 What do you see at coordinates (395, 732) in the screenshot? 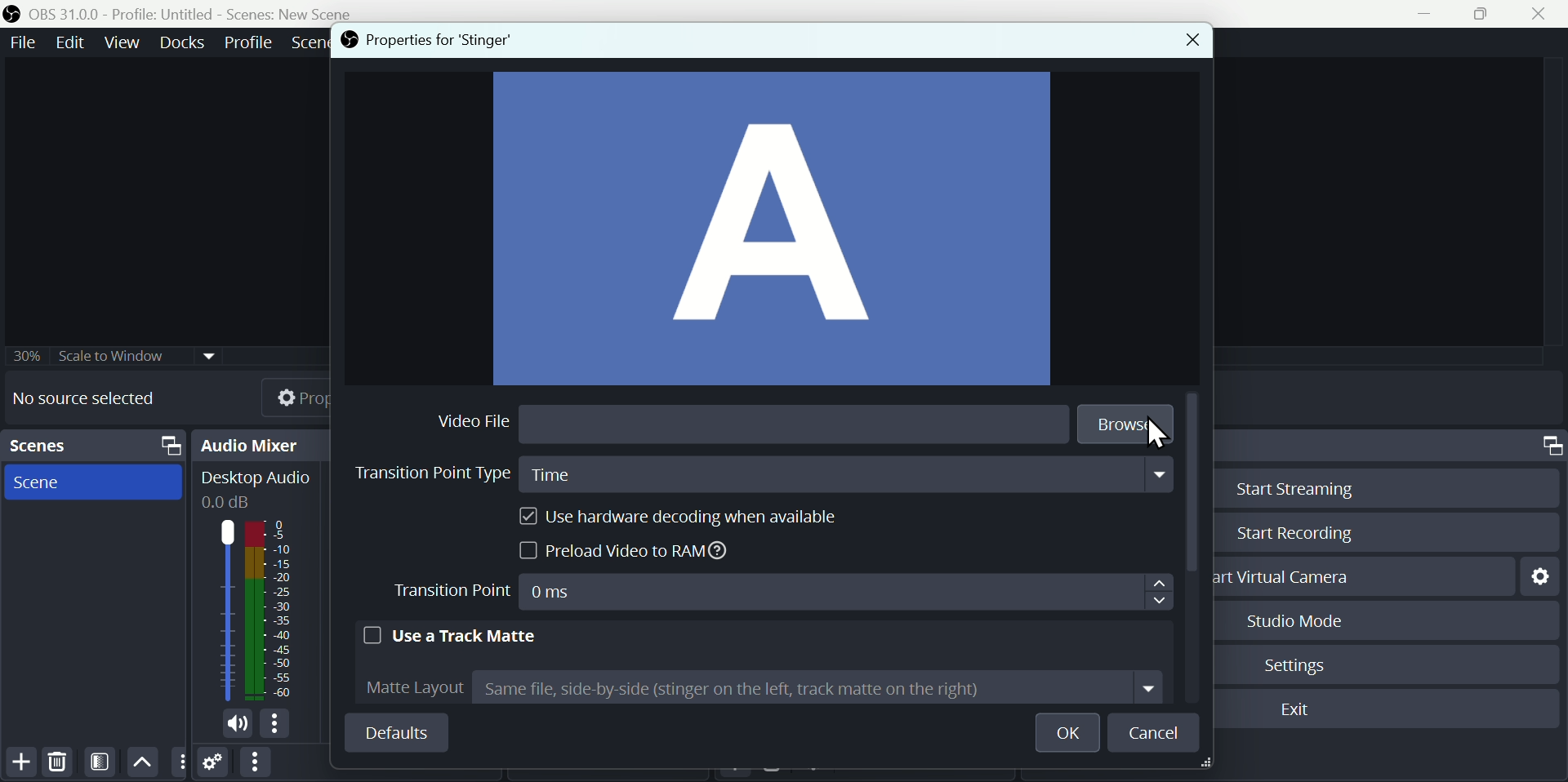
I see `Default` at bounding box center [395, 732].